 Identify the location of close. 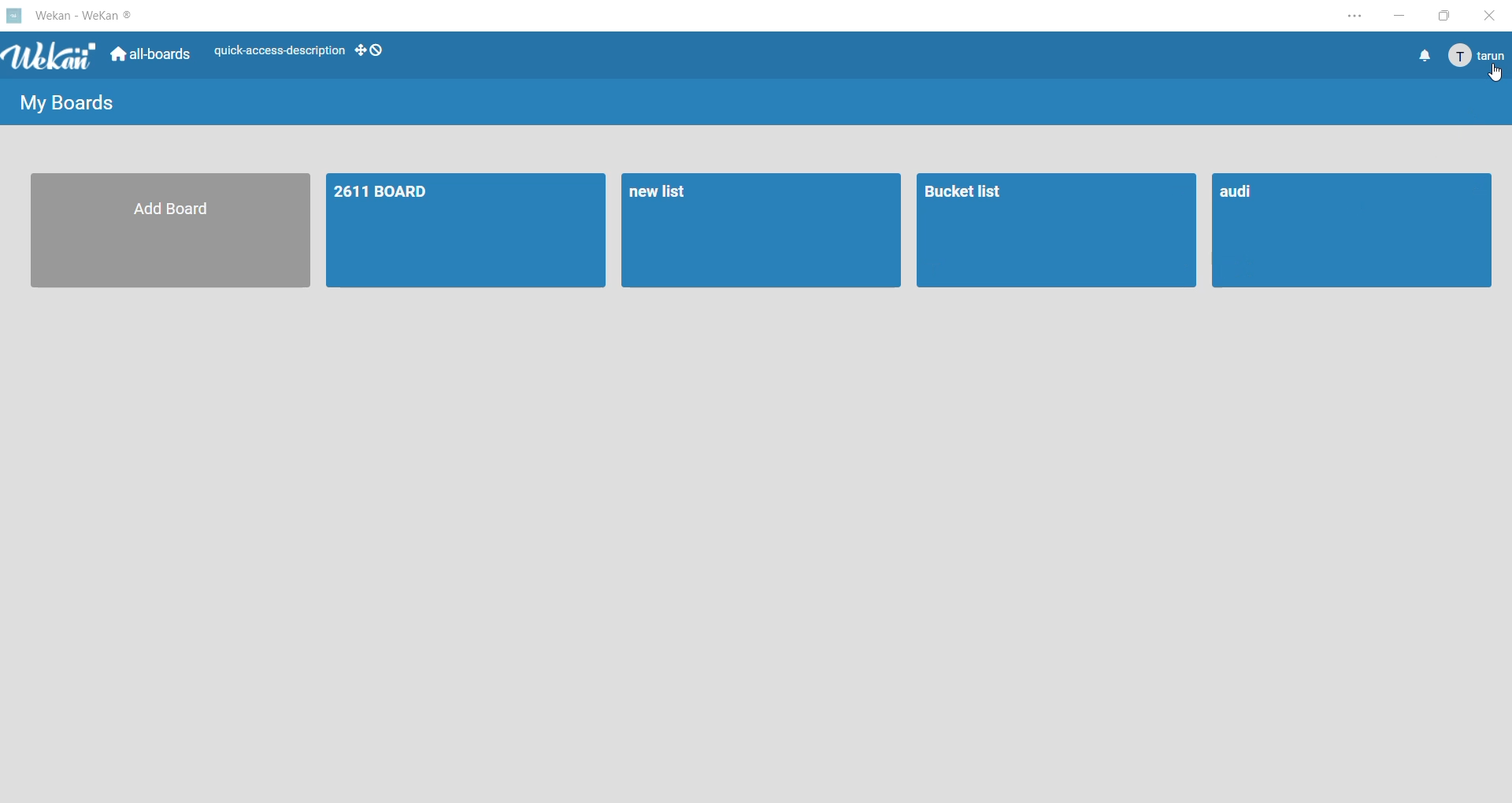
(1493, 14).